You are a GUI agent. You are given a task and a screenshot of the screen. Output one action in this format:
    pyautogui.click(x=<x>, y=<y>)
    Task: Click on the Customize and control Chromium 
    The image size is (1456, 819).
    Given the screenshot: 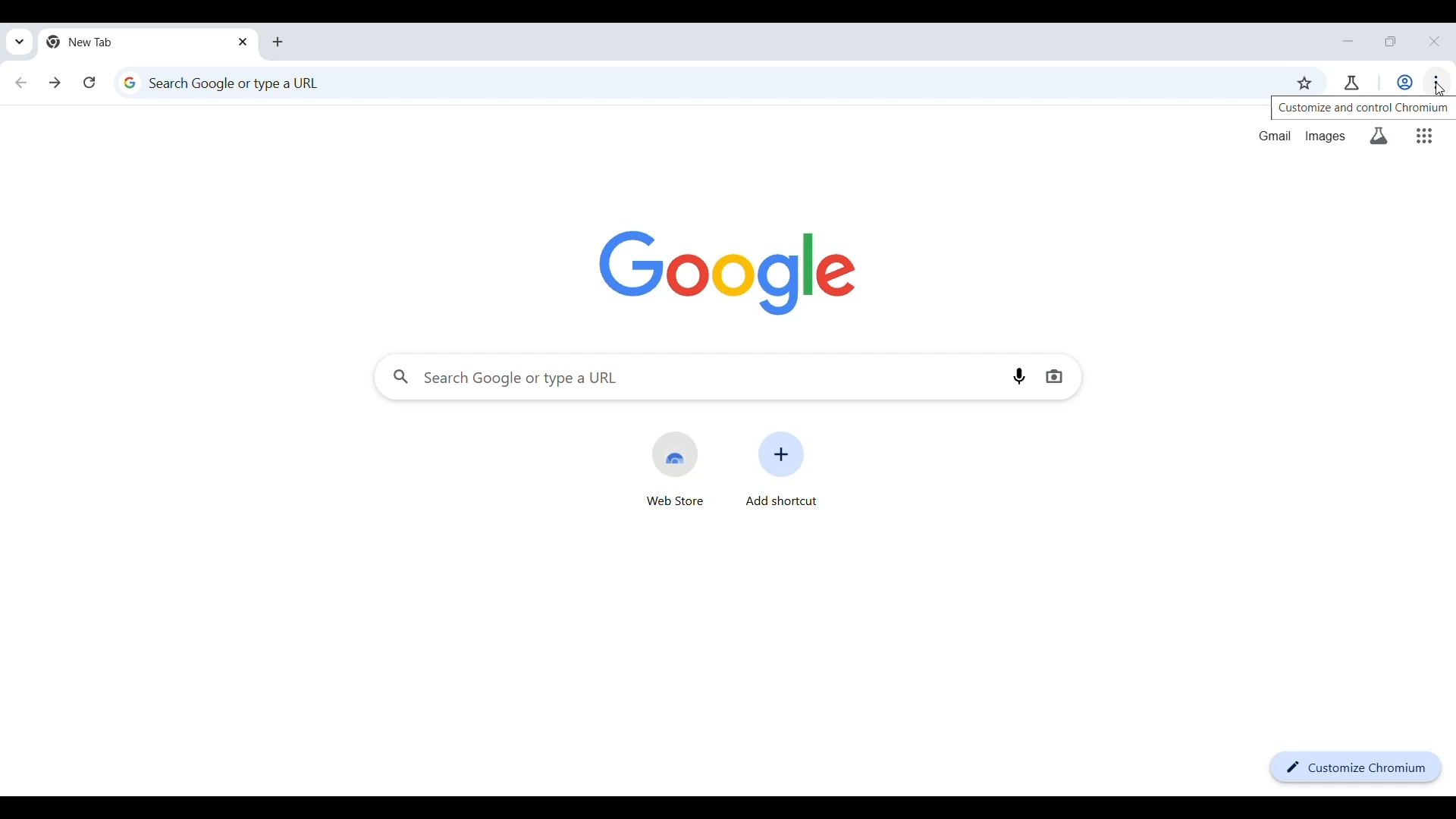 What is the action you would take?
    pyautogui.click(x=1436, y=82)
    